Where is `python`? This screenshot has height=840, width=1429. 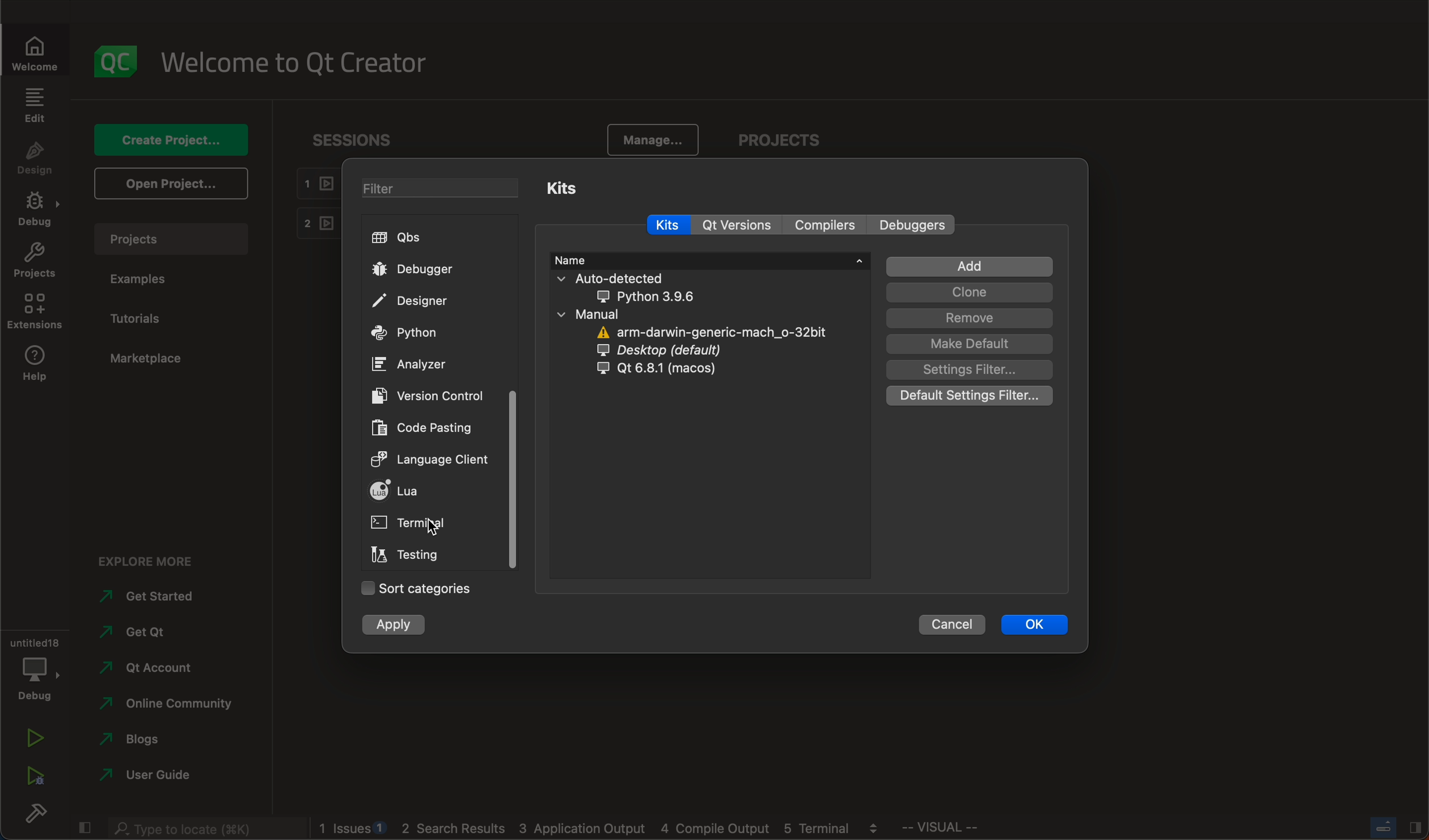
python is located at coordinates (412, 334).